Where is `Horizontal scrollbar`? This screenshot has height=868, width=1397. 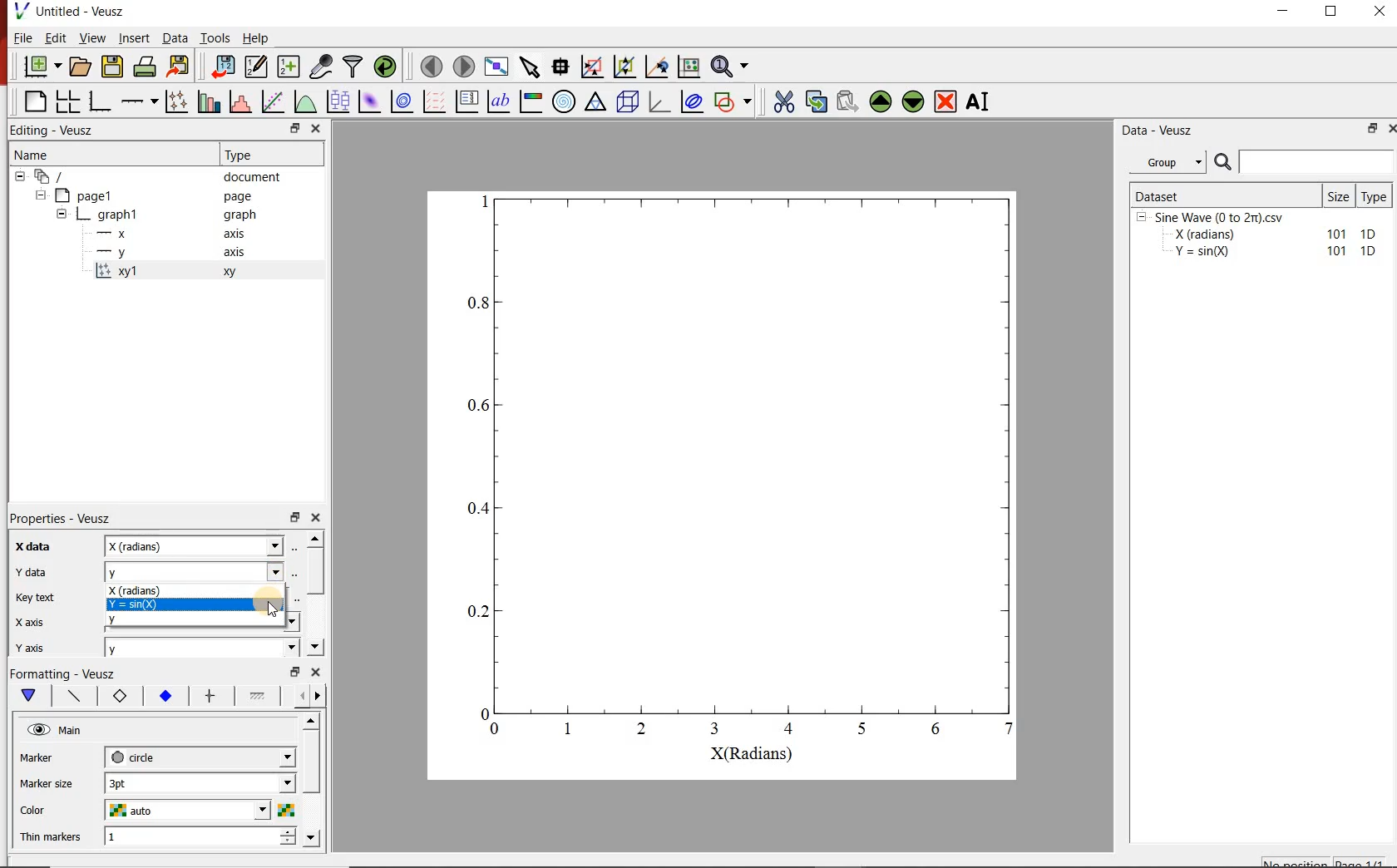
Horizontal scrollbar is located at coordinates (313, 778).